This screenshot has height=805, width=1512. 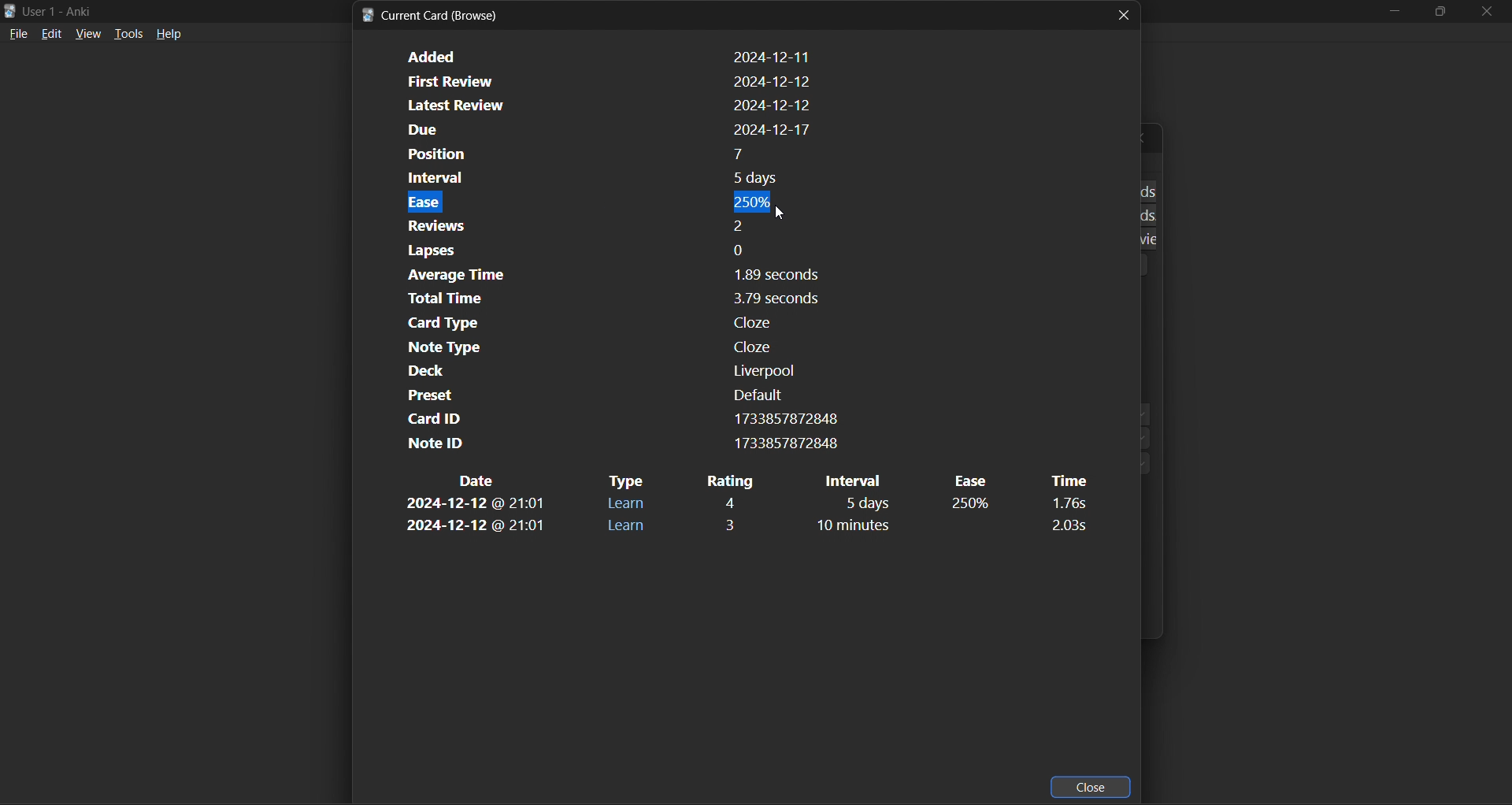 I want to click on maximize/restore, so click(x=1438, y=10).